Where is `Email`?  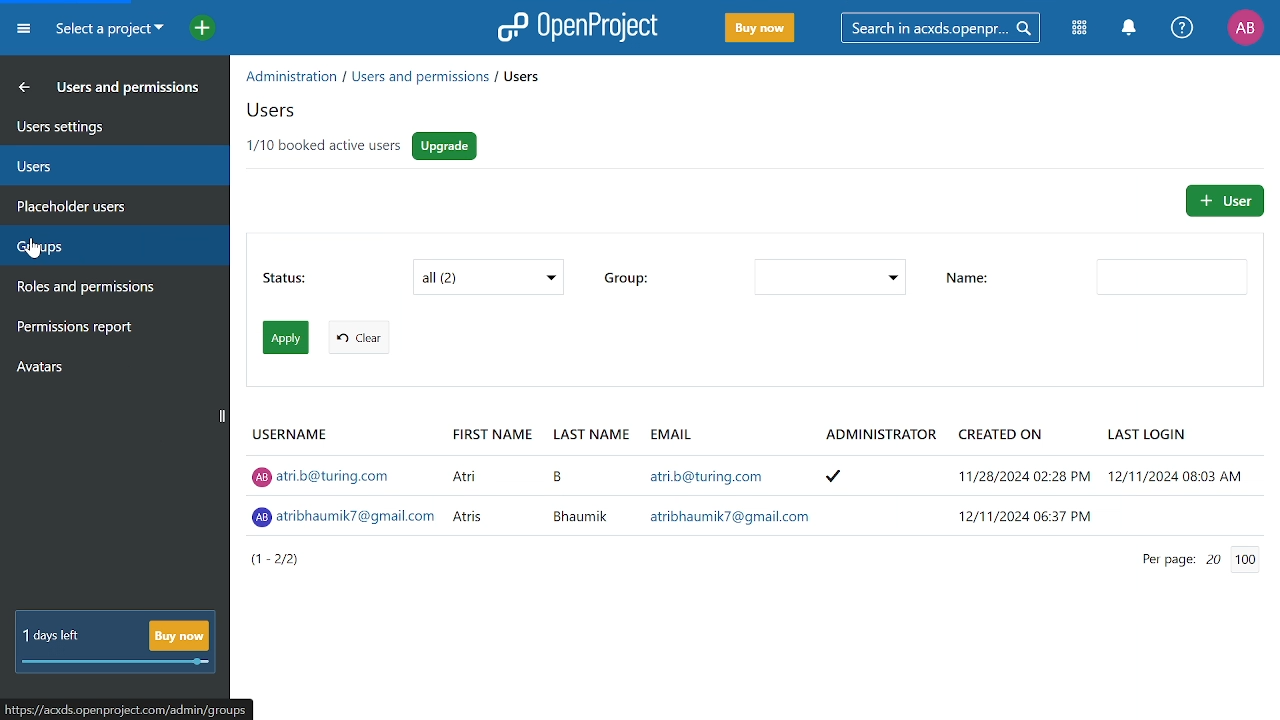
Email is located at coordinates (673, 433).